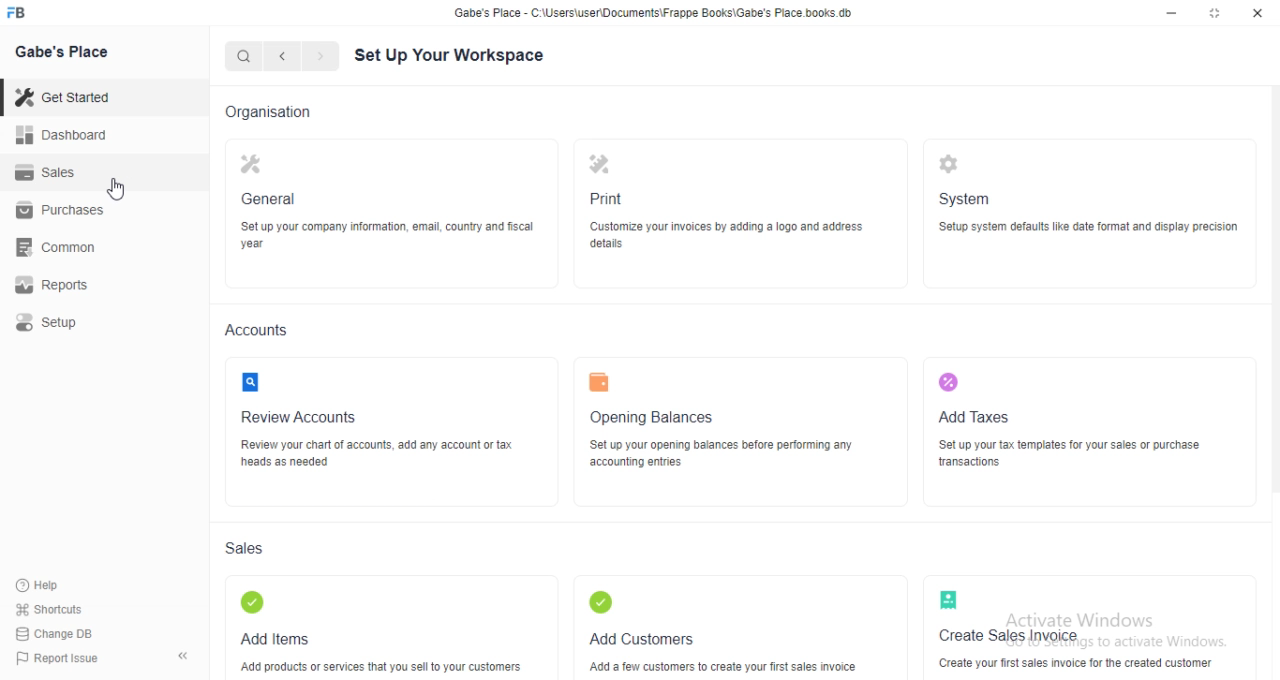  What do you see at coordinates (44, 585) in the screenshot?
I see `Help` at bounding box center [44, 585].